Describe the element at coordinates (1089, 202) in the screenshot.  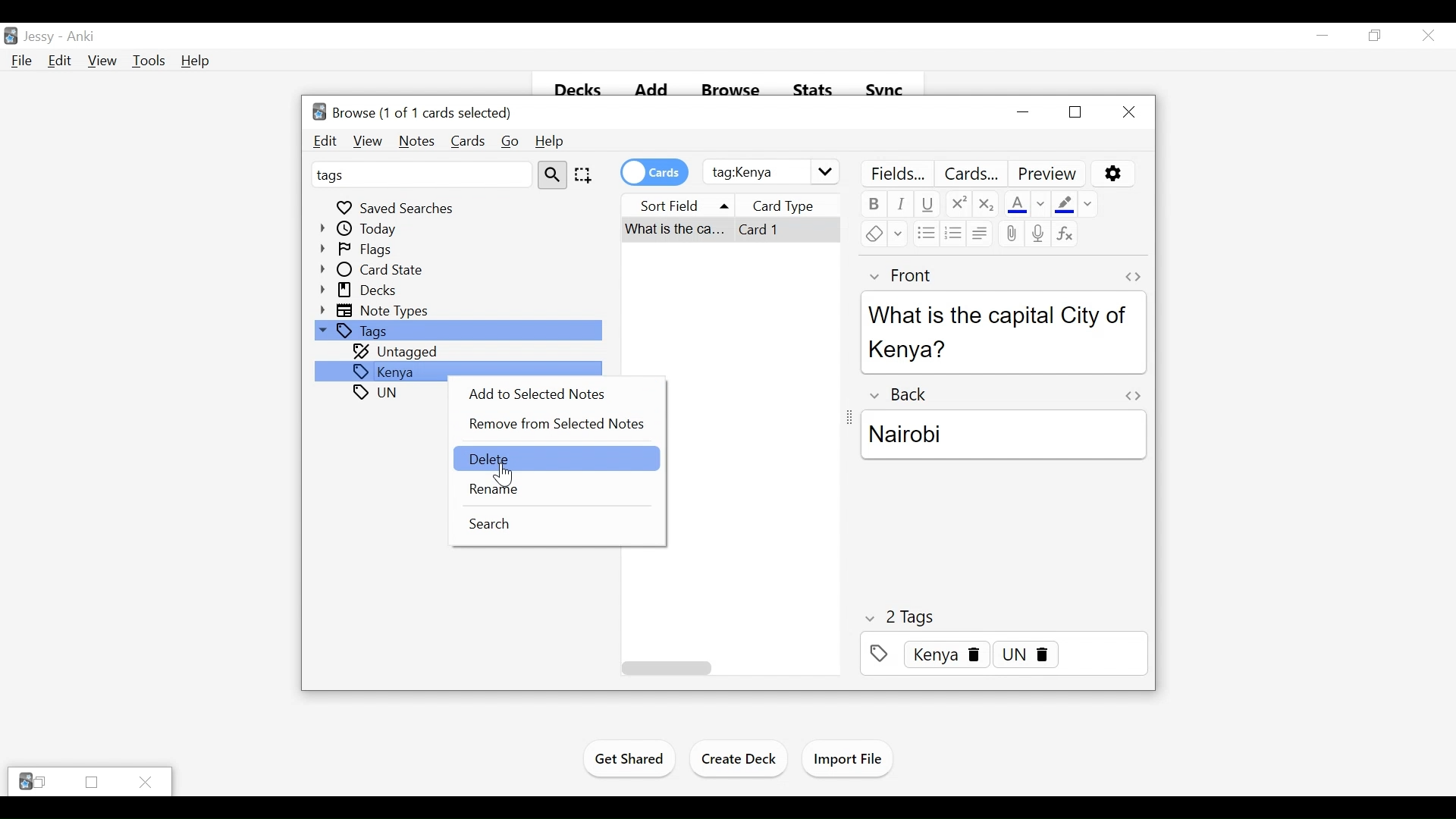
I see `Select Formatting to Remove` at that location.